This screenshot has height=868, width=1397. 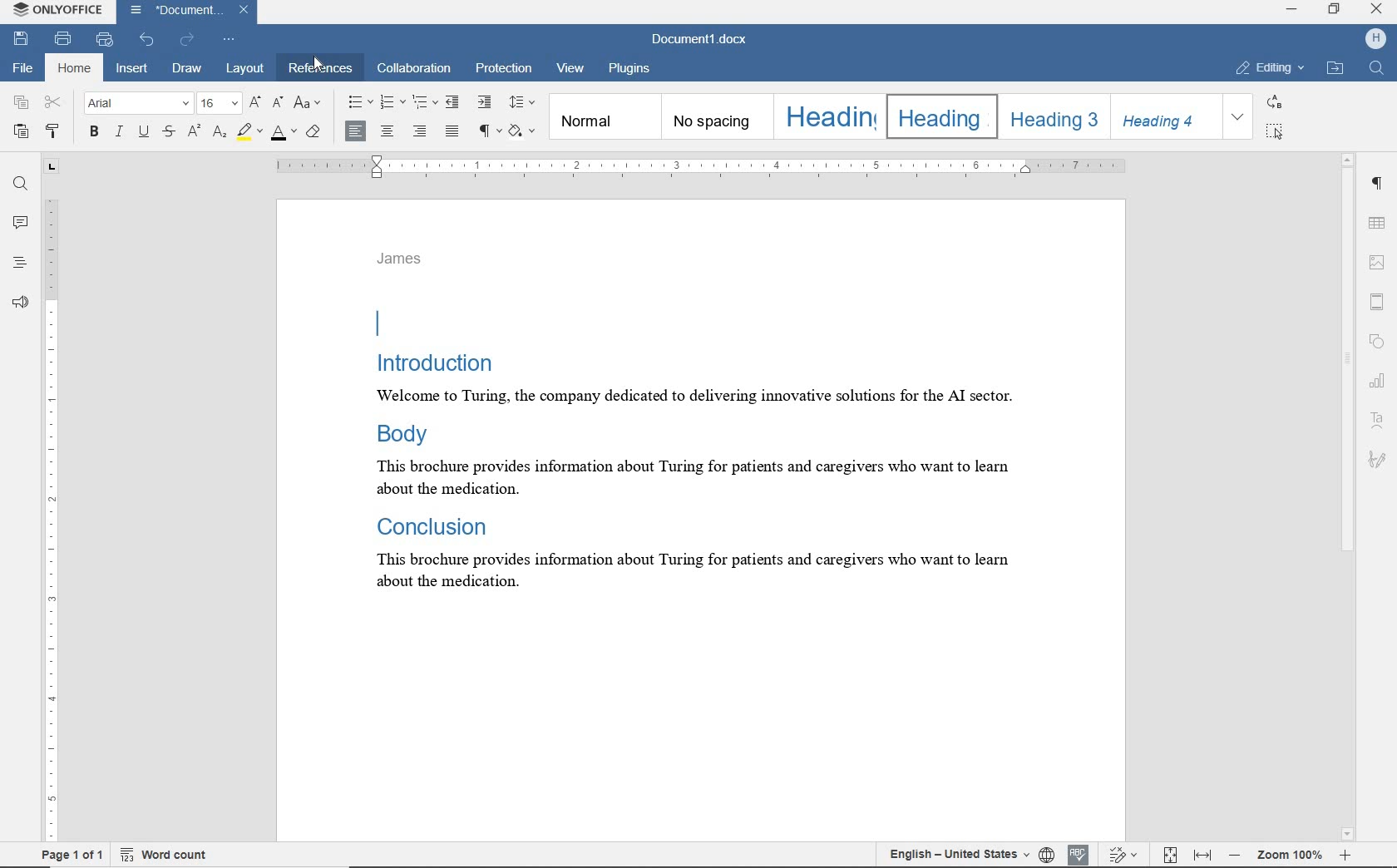 What do you see at coordinates (455, 104) in the screenshot?
I see `decrease indent` at bounding box center [455, 104].